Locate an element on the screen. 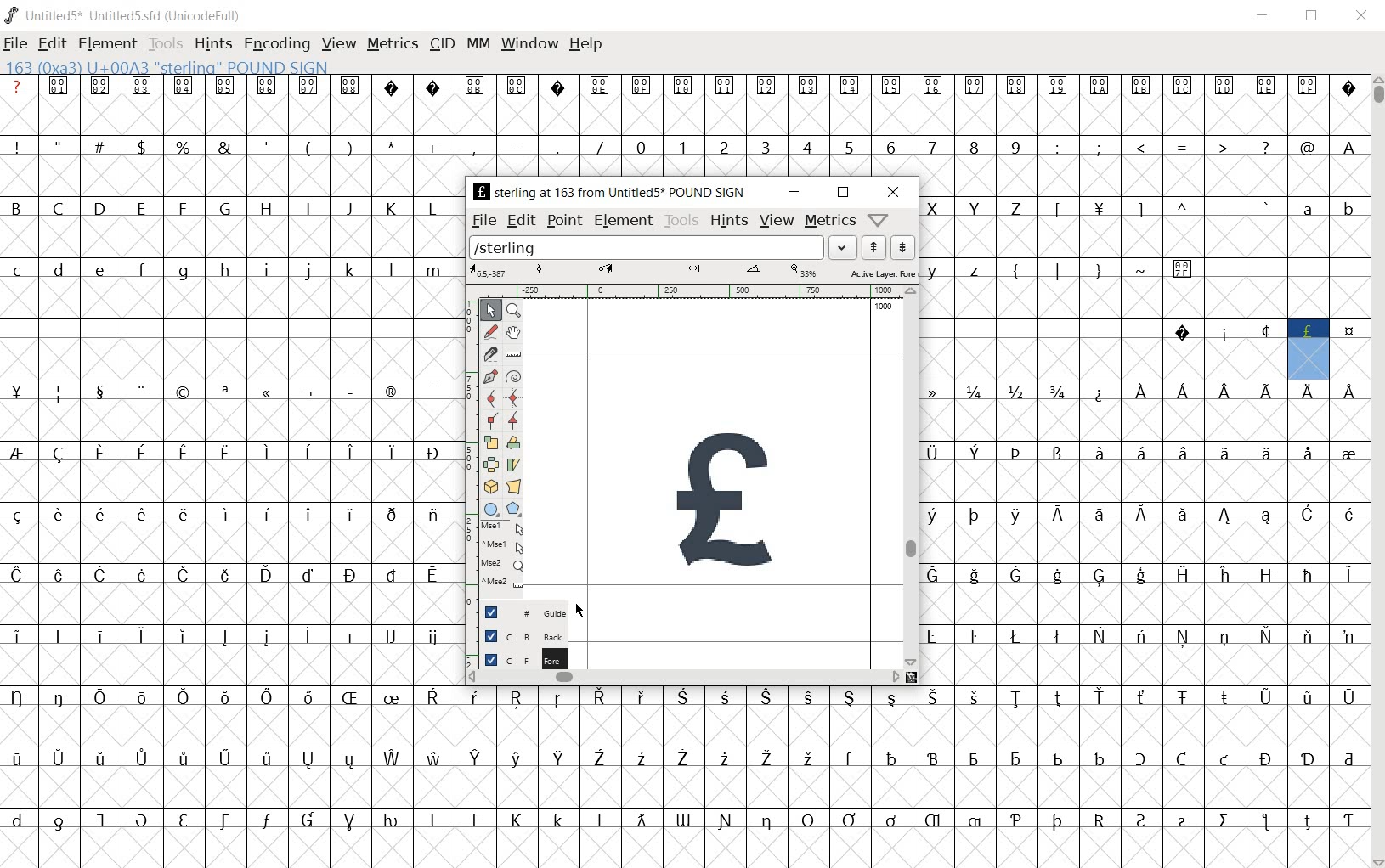  2 is located at coordinates (725, 146).